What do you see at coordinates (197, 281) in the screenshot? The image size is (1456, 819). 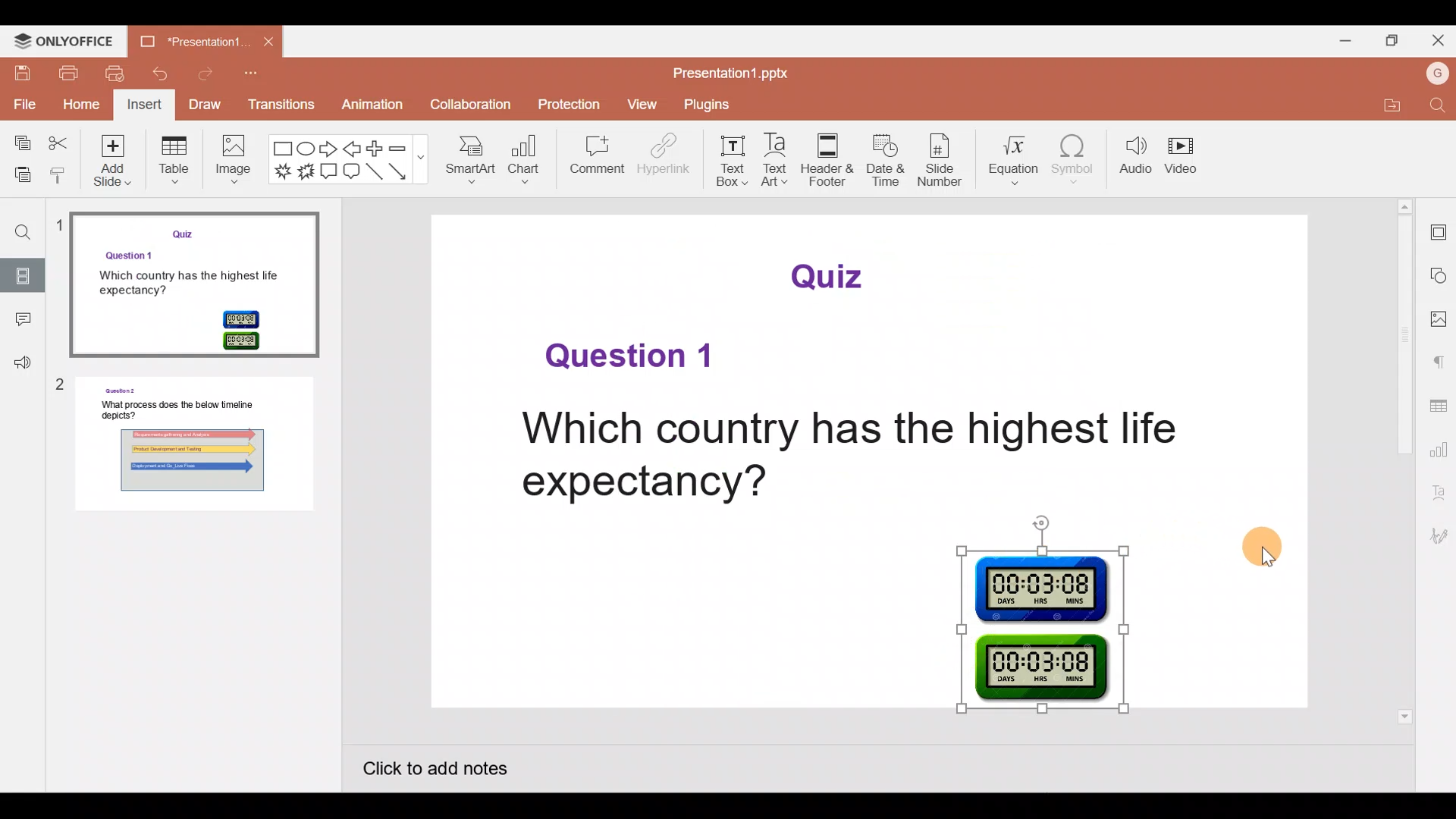 I see `Slide 1 preview` at bounding box center [197, 281].